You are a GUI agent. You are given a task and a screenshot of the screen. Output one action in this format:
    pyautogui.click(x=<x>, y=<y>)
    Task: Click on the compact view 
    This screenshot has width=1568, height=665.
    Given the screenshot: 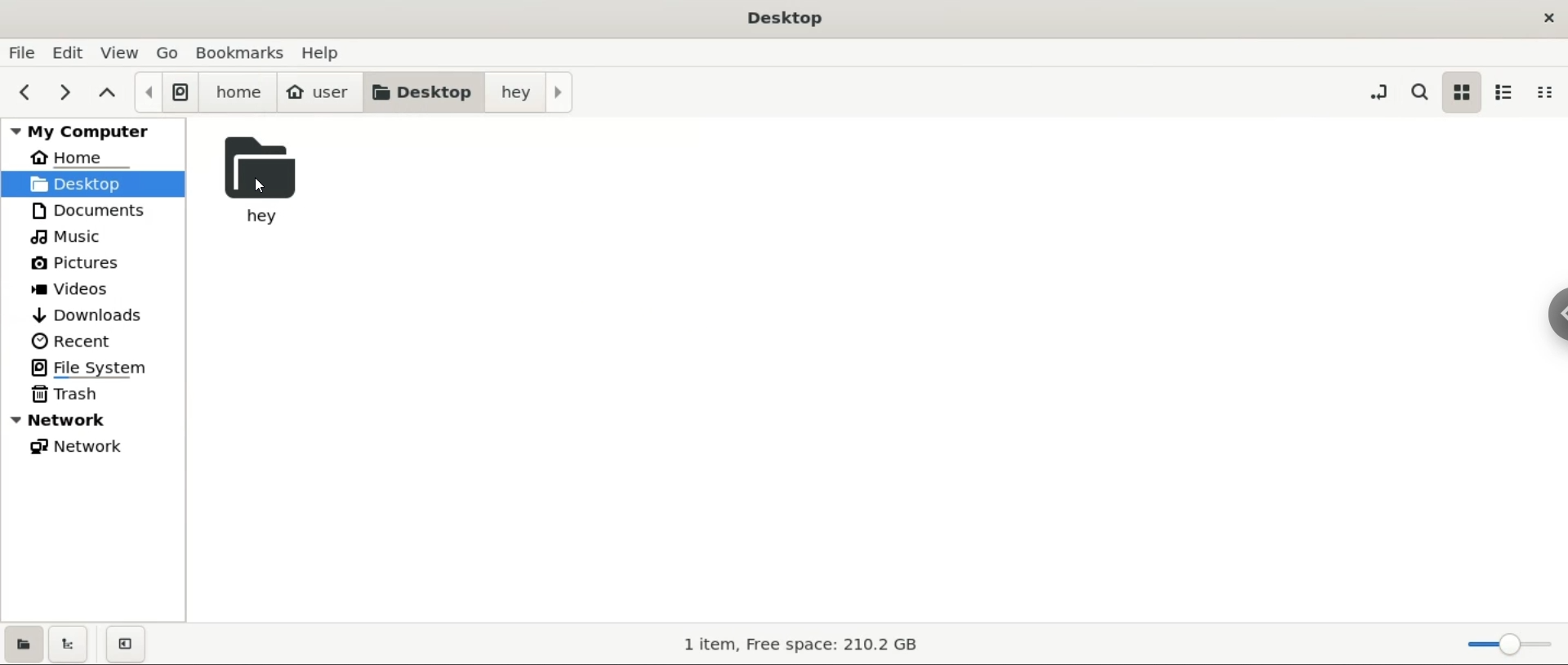 What is the action you would take?
    pyautogui.click(x=1549, y=91)
    